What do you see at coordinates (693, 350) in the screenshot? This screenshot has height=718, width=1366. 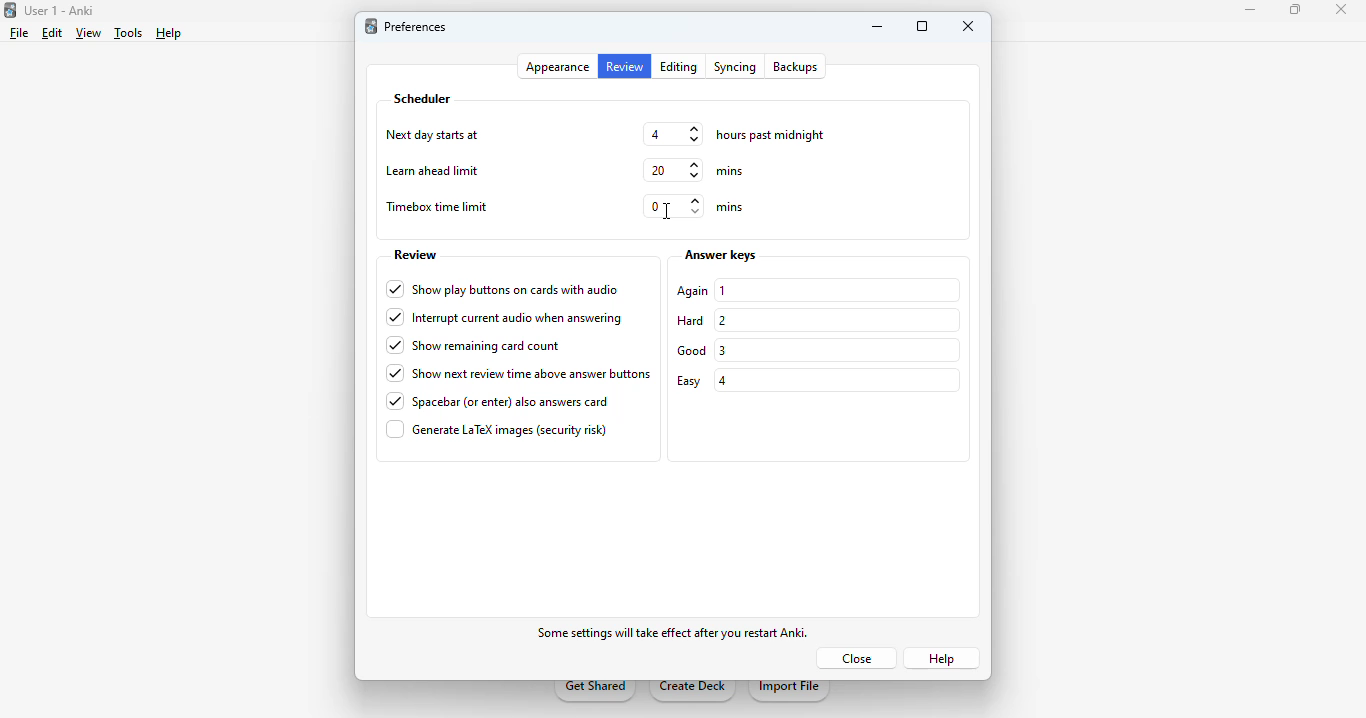 I see `good` at bounding box center [693, 350].